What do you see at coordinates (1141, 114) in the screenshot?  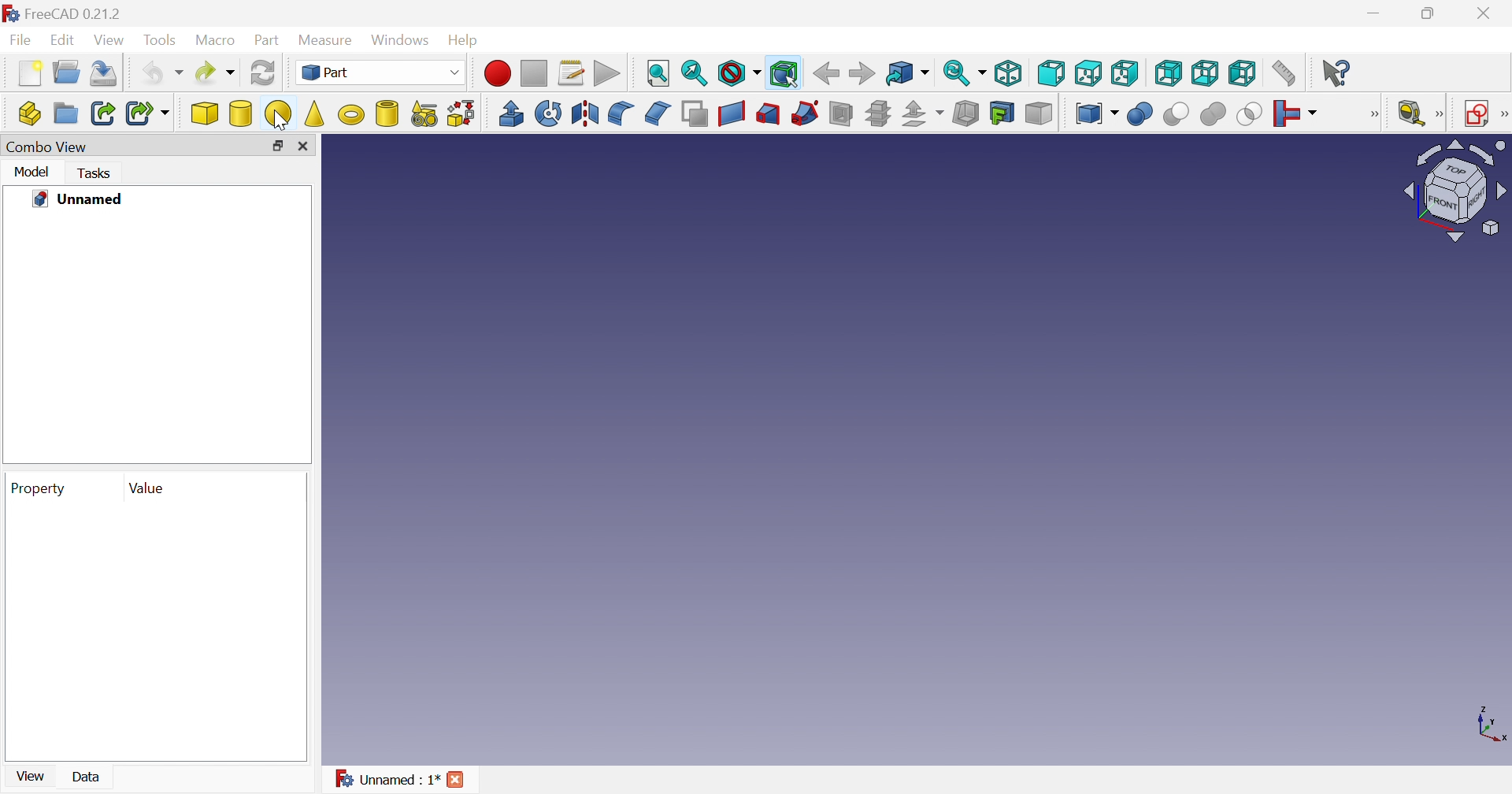 I see `Boolean` at bounding box center [1141, 114].